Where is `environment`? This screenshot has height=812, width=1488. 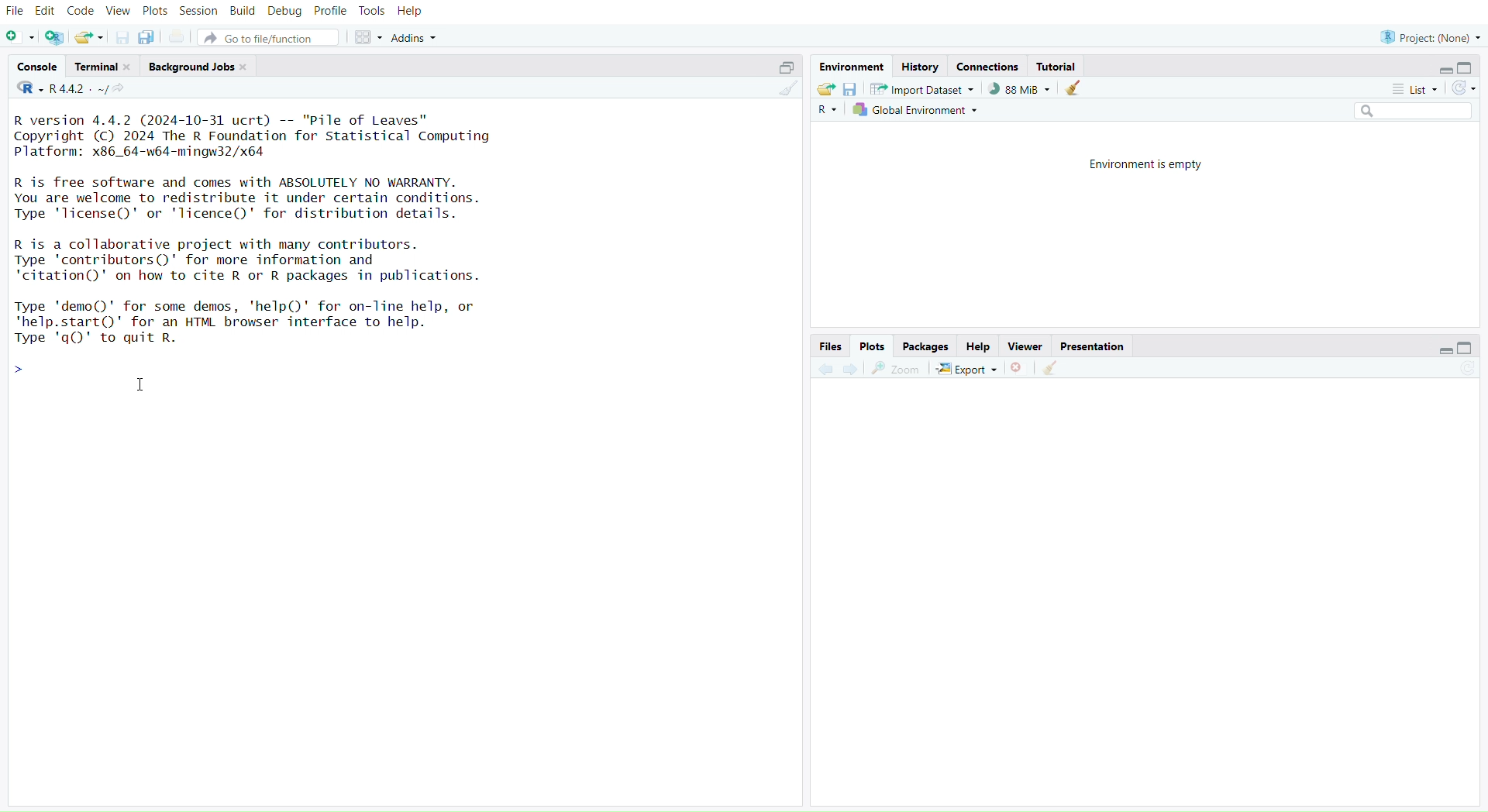 environment is located at coordinates (854, 67).